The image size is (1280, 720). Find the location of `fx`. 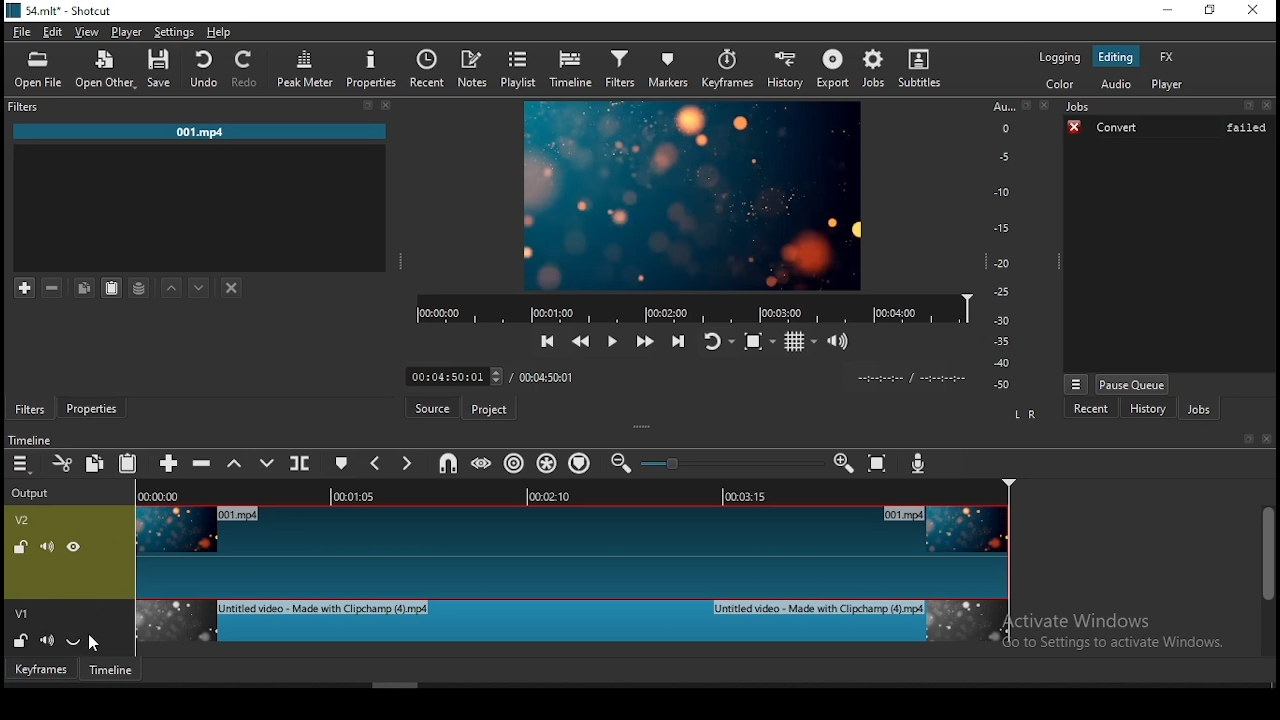

fx is located at coordinates (1167, 56).